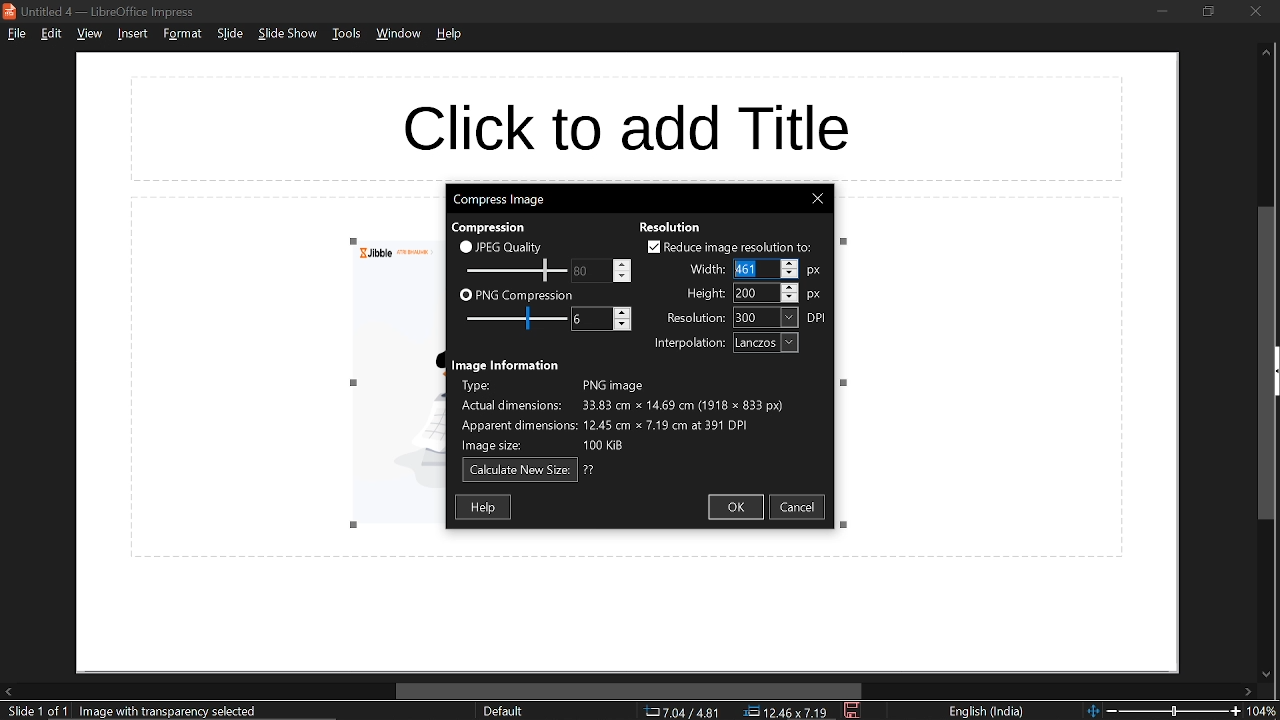 The width and height of the screenshot is (1280, 720). I want to click on current window, so click(102, 10).